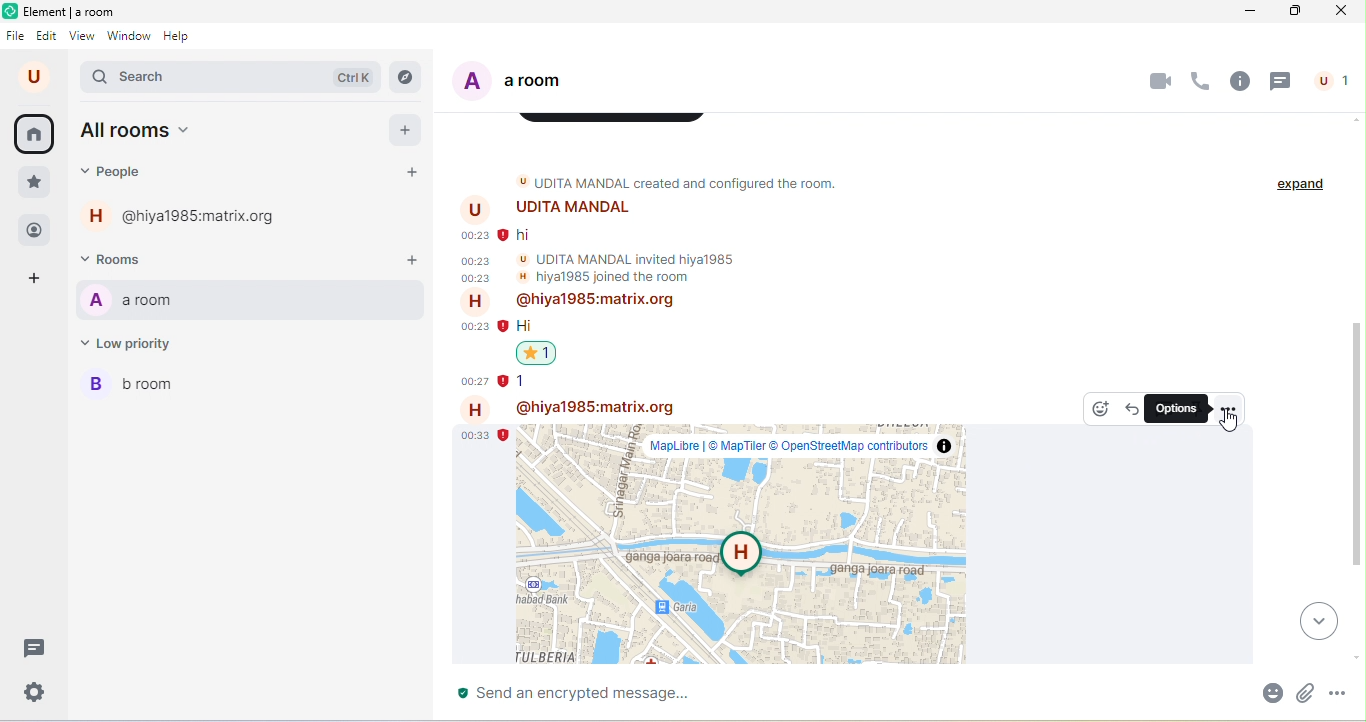 This screenshot has width=1366, height=722. I want to click on options, so click(1176, 408).